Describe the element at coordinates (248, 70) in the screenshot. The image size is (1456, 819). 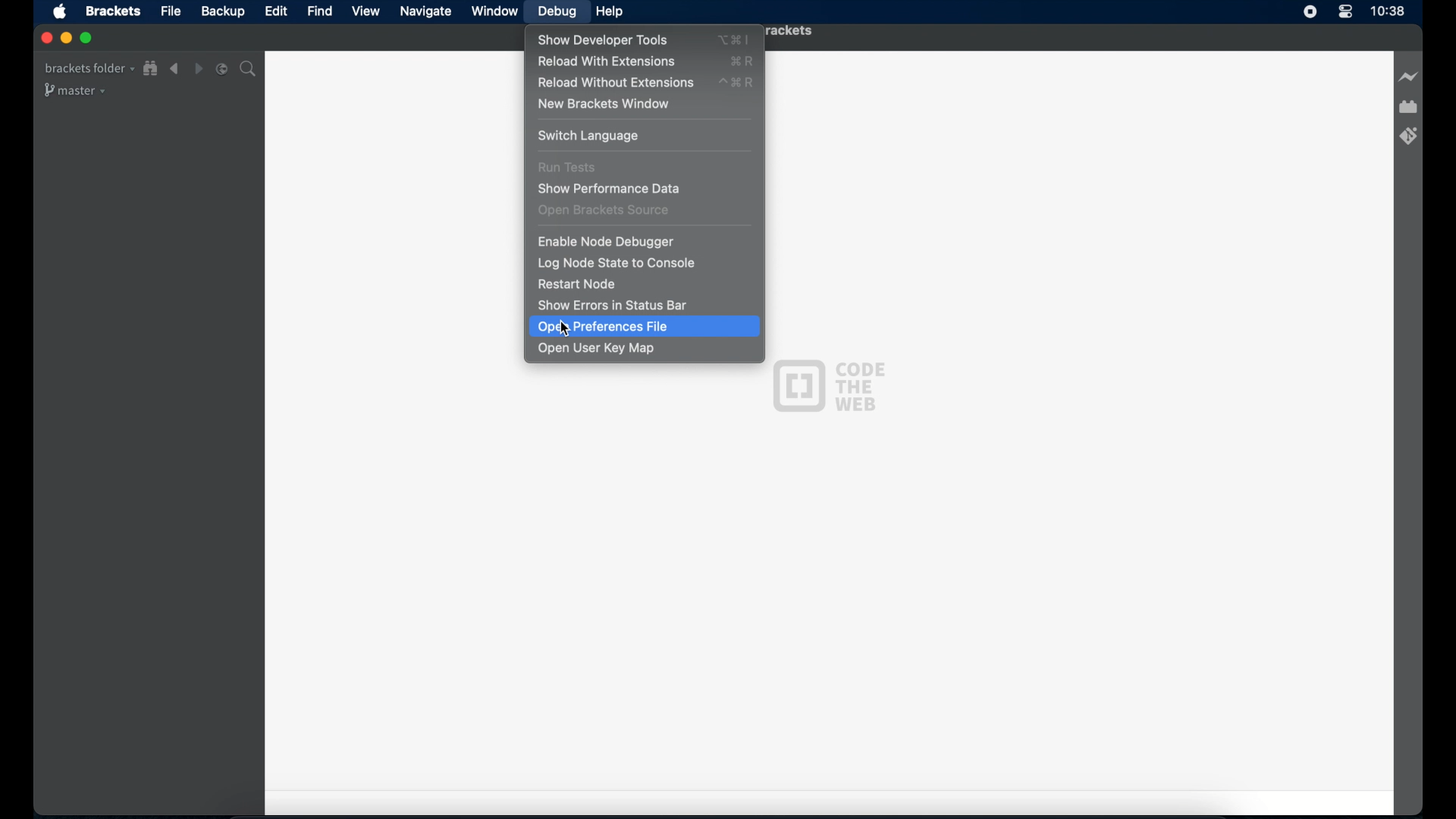
I see `search bar` at that location.